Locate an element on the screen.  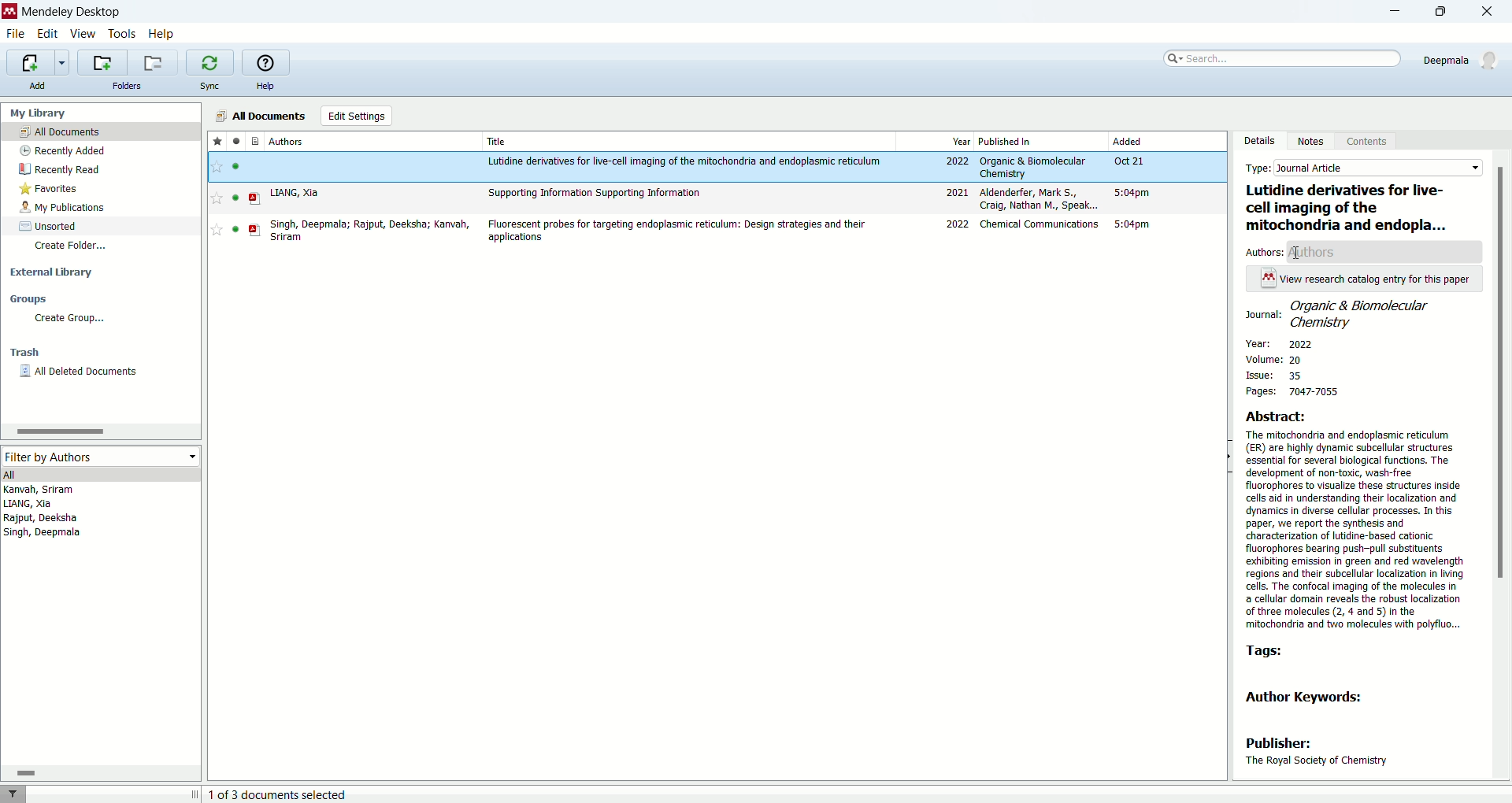
Abstract:

The mitochondria and endoplasmic reticulum
(ER) are highly dynamic subcellular structures
essential for several biological functions. The
development of non-toxic, wash-free
fluorophores to visualize these structures inside
cells aid in understanding their localization and
dynamics in diverse cellular processes. In this
paper, we report the synthesis and
characterization of utidine-based cationic
fluorophores bearing push-pull substituents
exhibiting emission in green and red wavelength
regions and their subcellular localization in living
cells. The confocal imaging of the molecules in
a cellular domain reveals the robust localization
of three molecules (2, 4 and 5) in the
‘mitochondria and two molecules with polyfiuo... is located at coordinates (1358, 519).